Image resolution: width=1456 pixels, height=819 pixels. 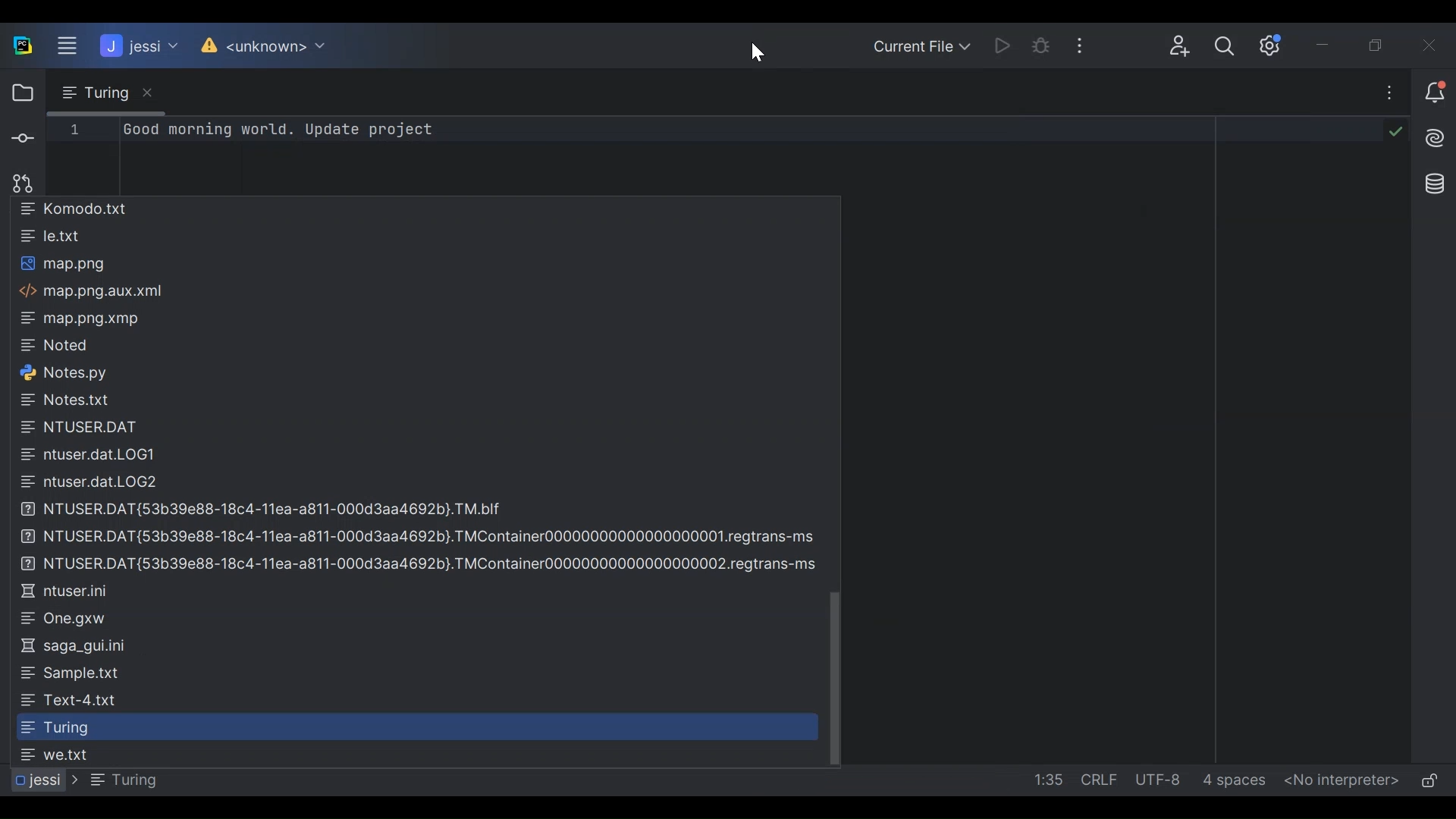 I want to click on 1:35, so click(x=1046, y=780).